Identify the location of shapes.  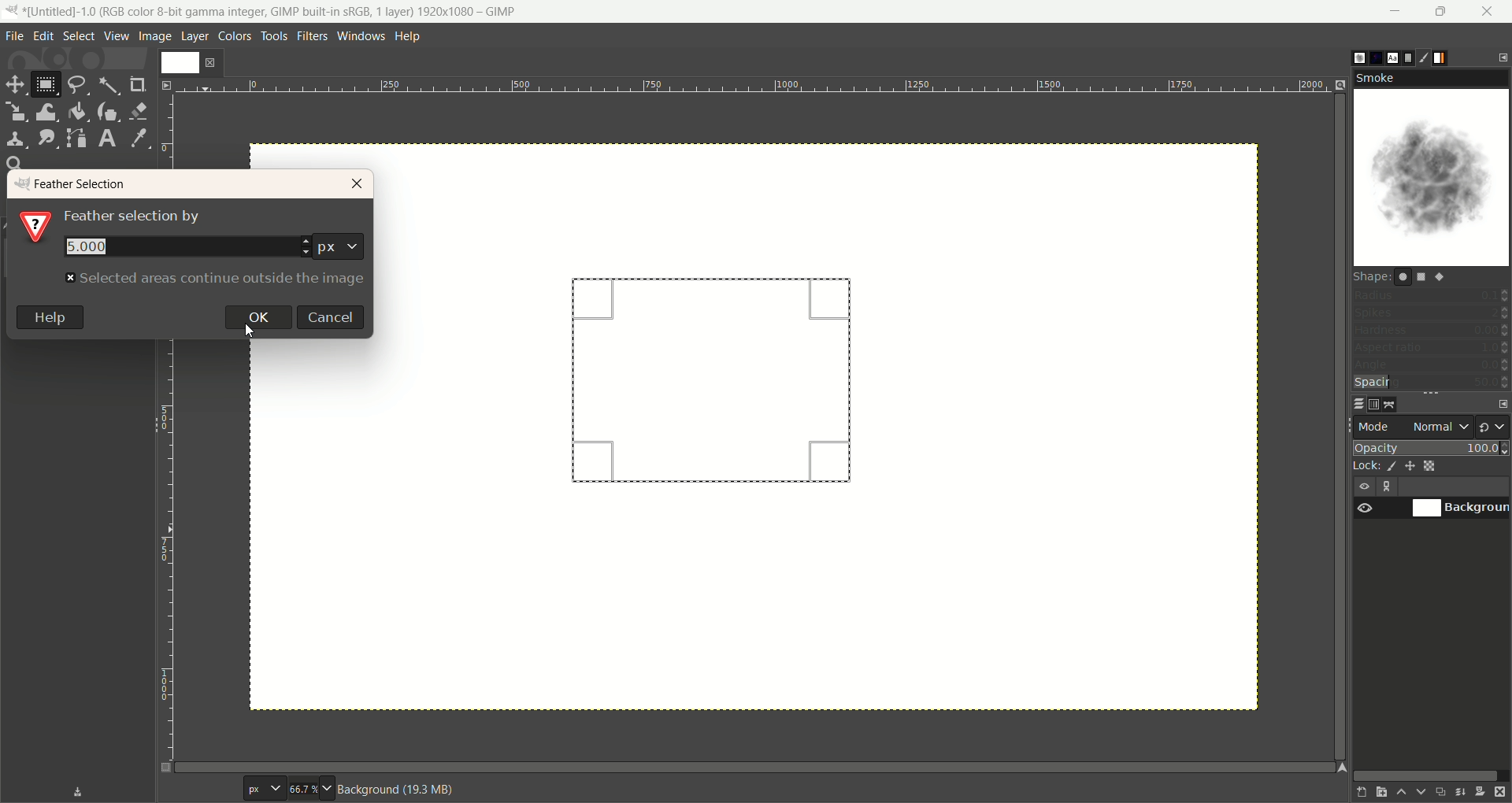
(1430, 278).